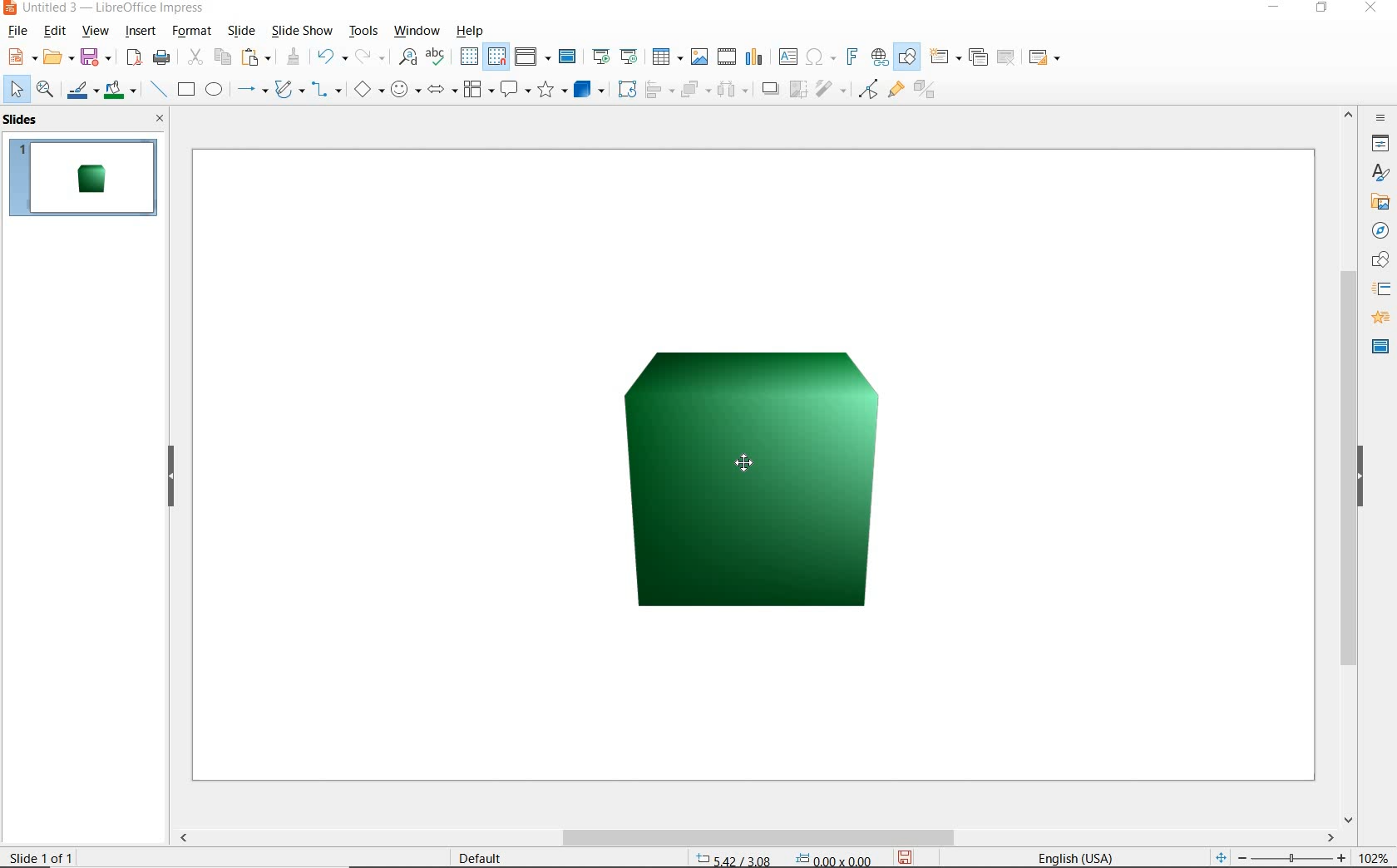  What do you see at coordinates (789, 57) in the screenshot?
I see `insert text box` at bounding box center [789, 57].